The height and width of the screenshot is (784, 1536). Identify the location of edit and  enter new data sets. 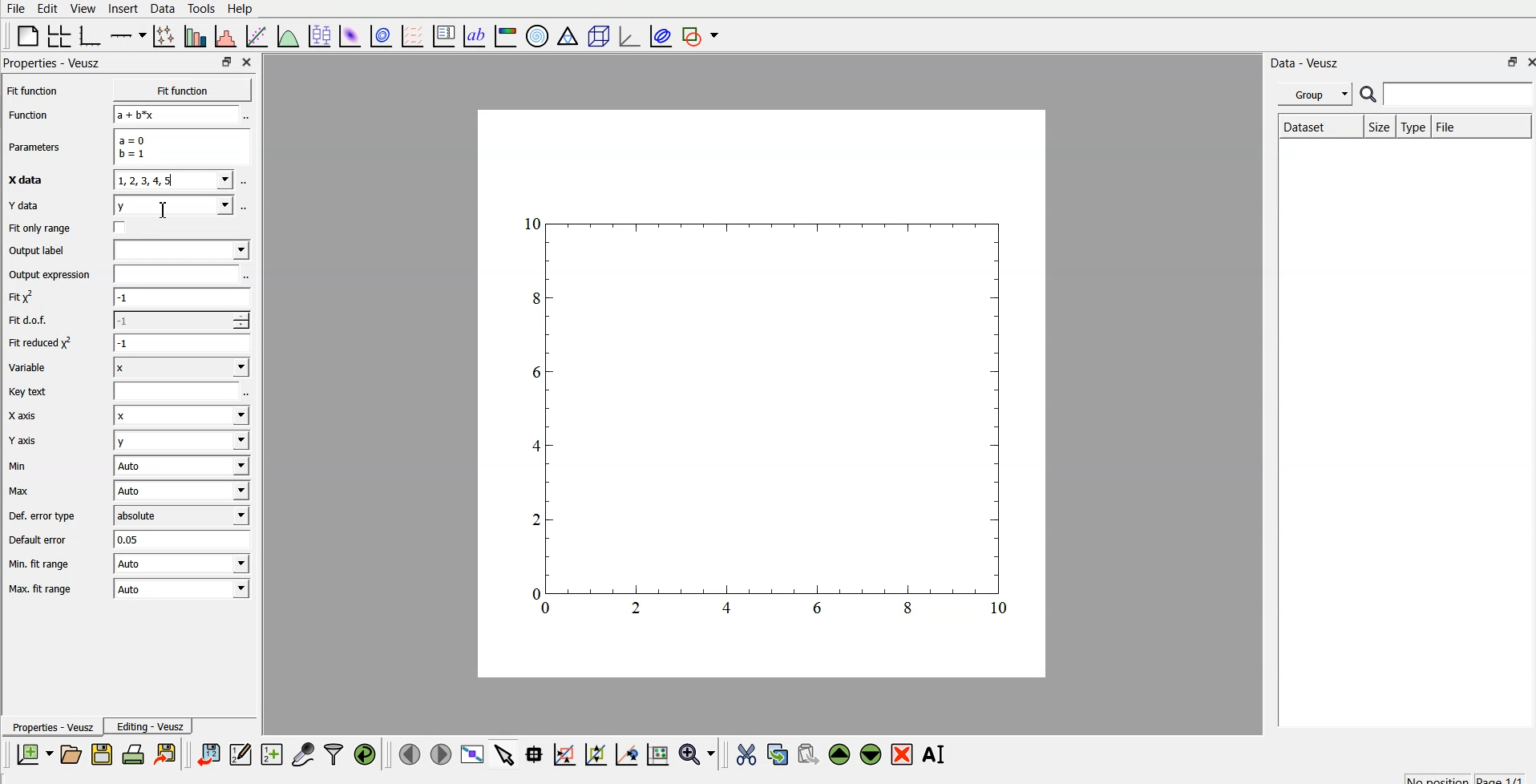
(243, 755).